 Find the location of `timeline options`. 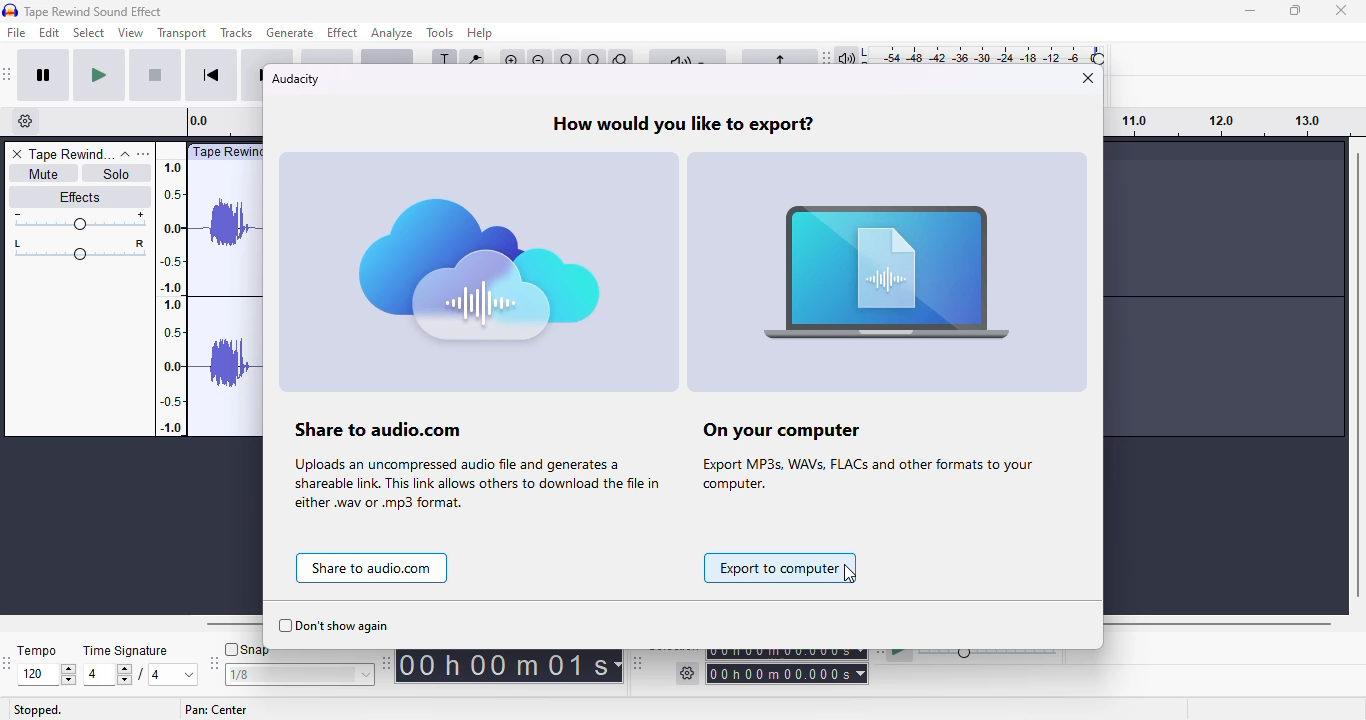

timeline options is located at coordinates (26, 121).